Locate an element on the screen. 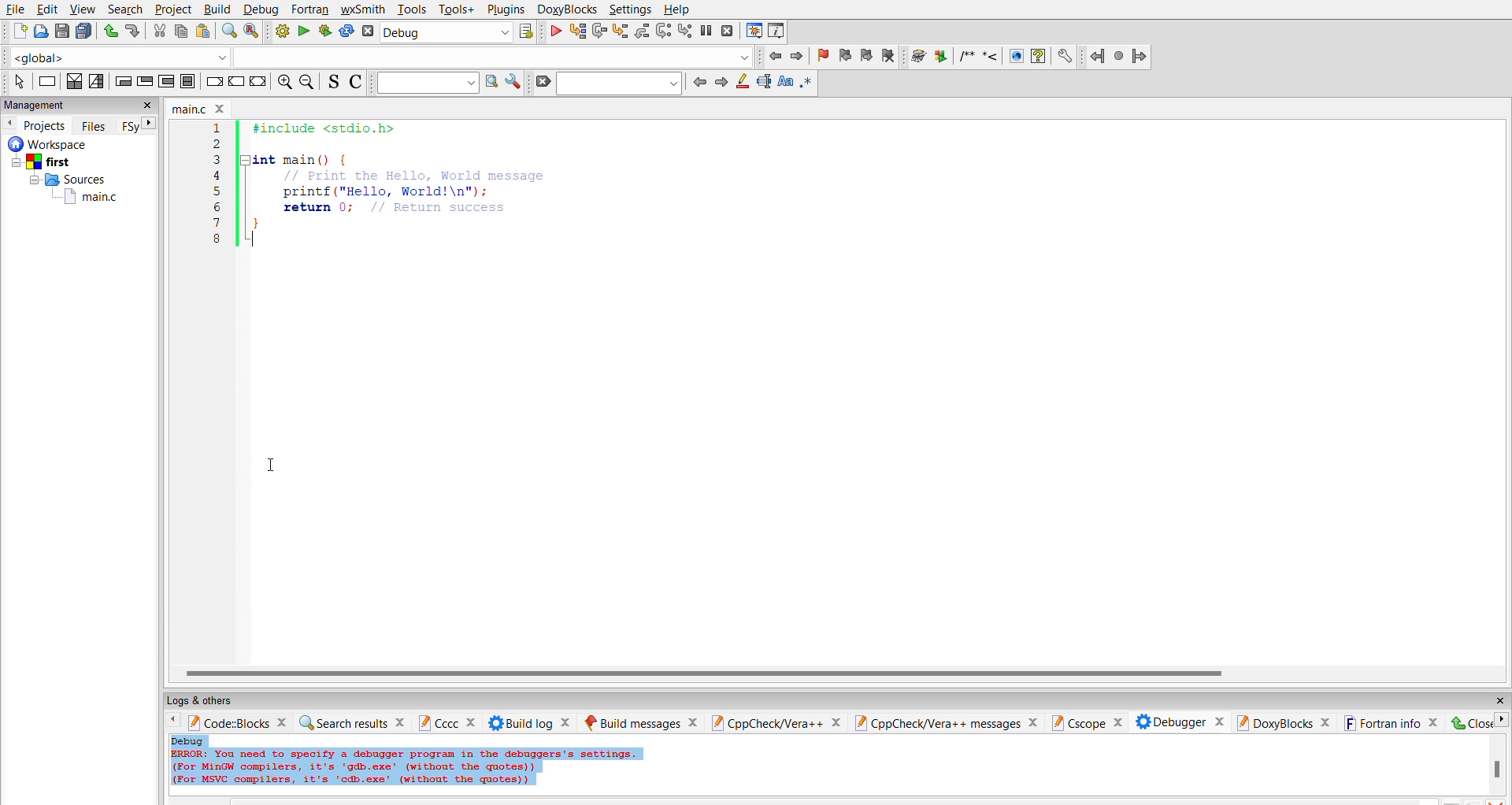 This screenshot has height=805, width=1512. block instruction is located at coordinates (191, 81).